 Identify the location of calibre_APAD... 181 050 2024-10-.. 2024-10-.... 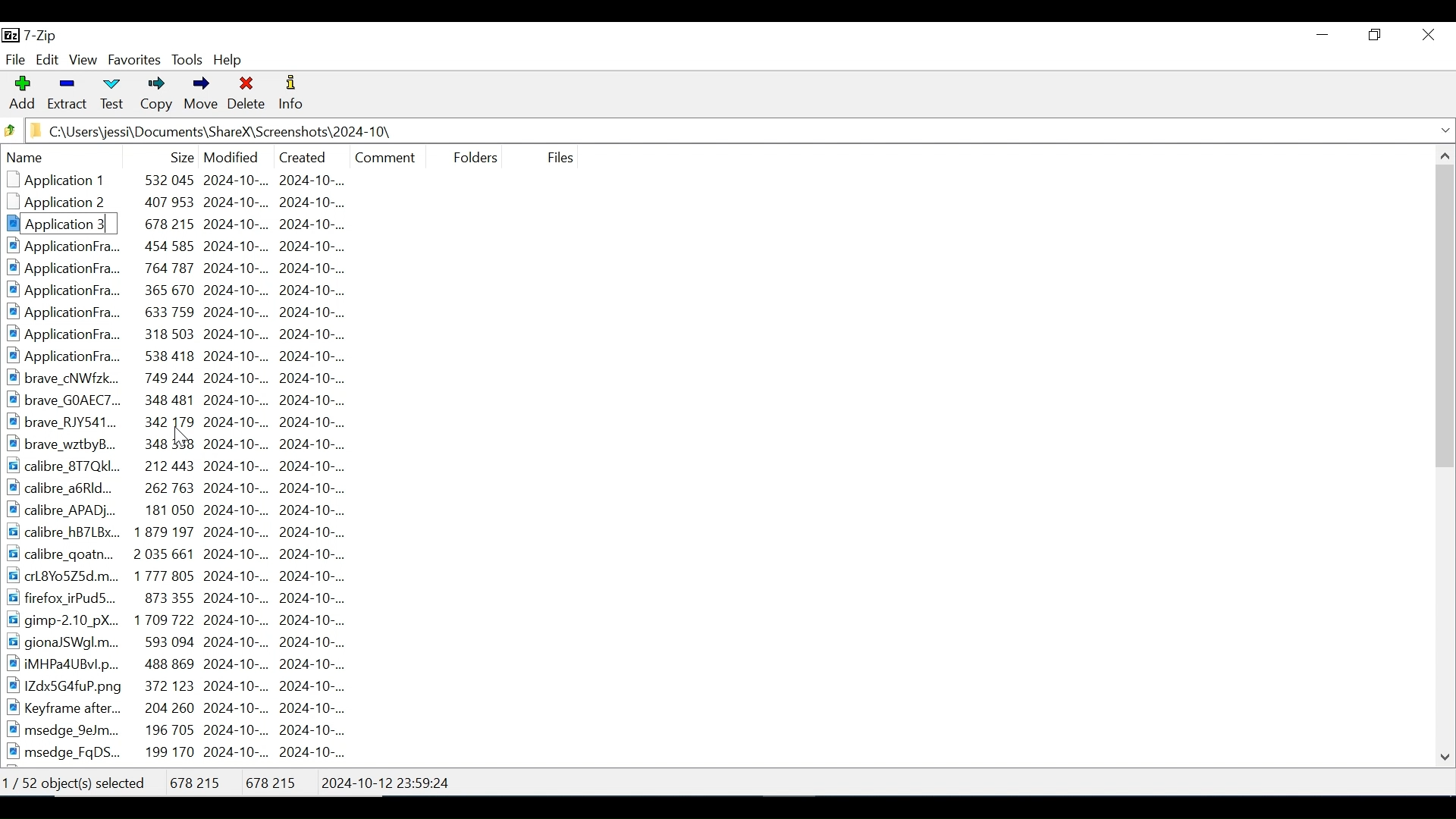
(192, 512).